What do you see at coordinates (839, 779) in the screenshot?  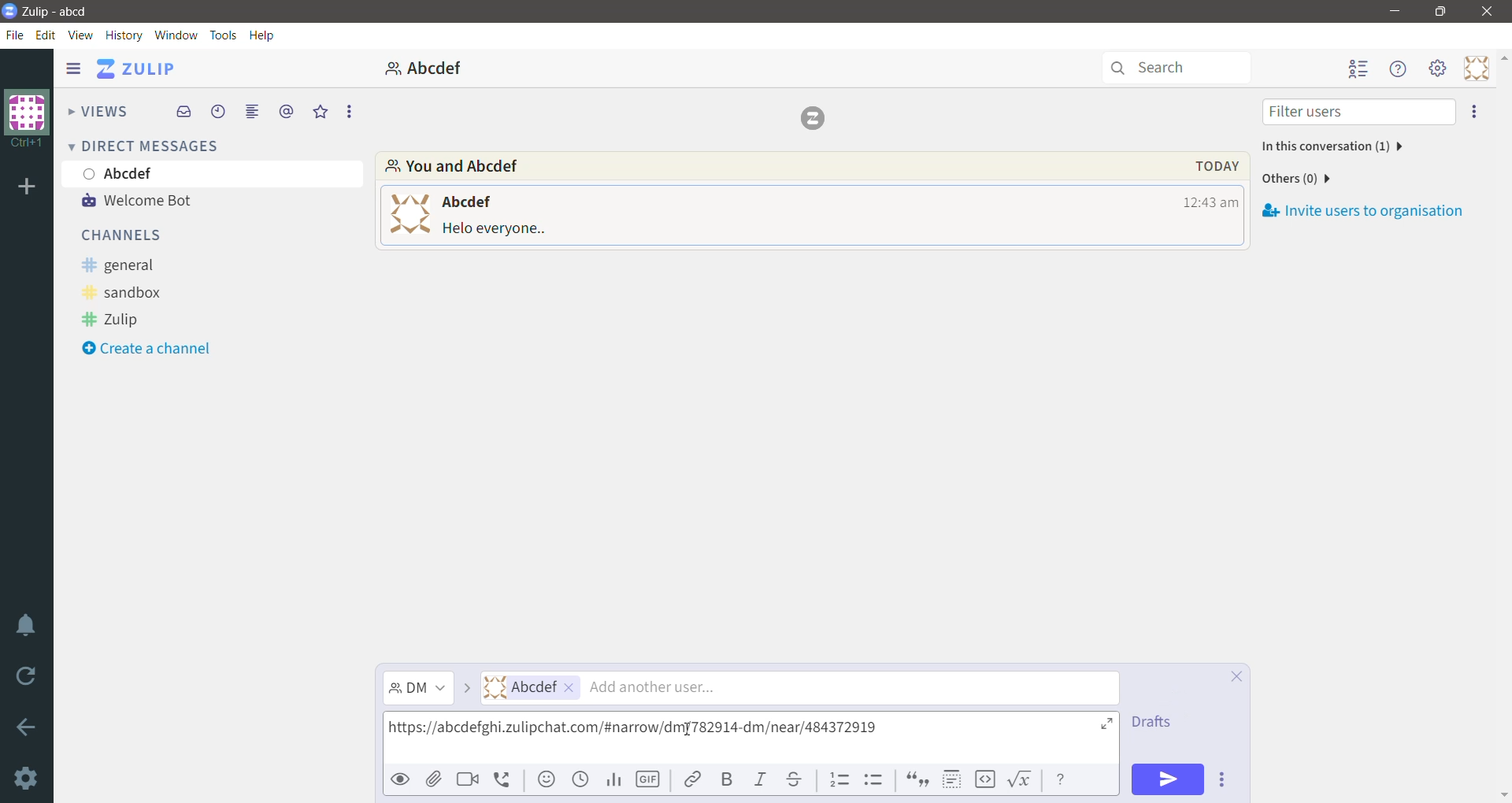 I see `Numbered list` at bounding box center [839, 779].